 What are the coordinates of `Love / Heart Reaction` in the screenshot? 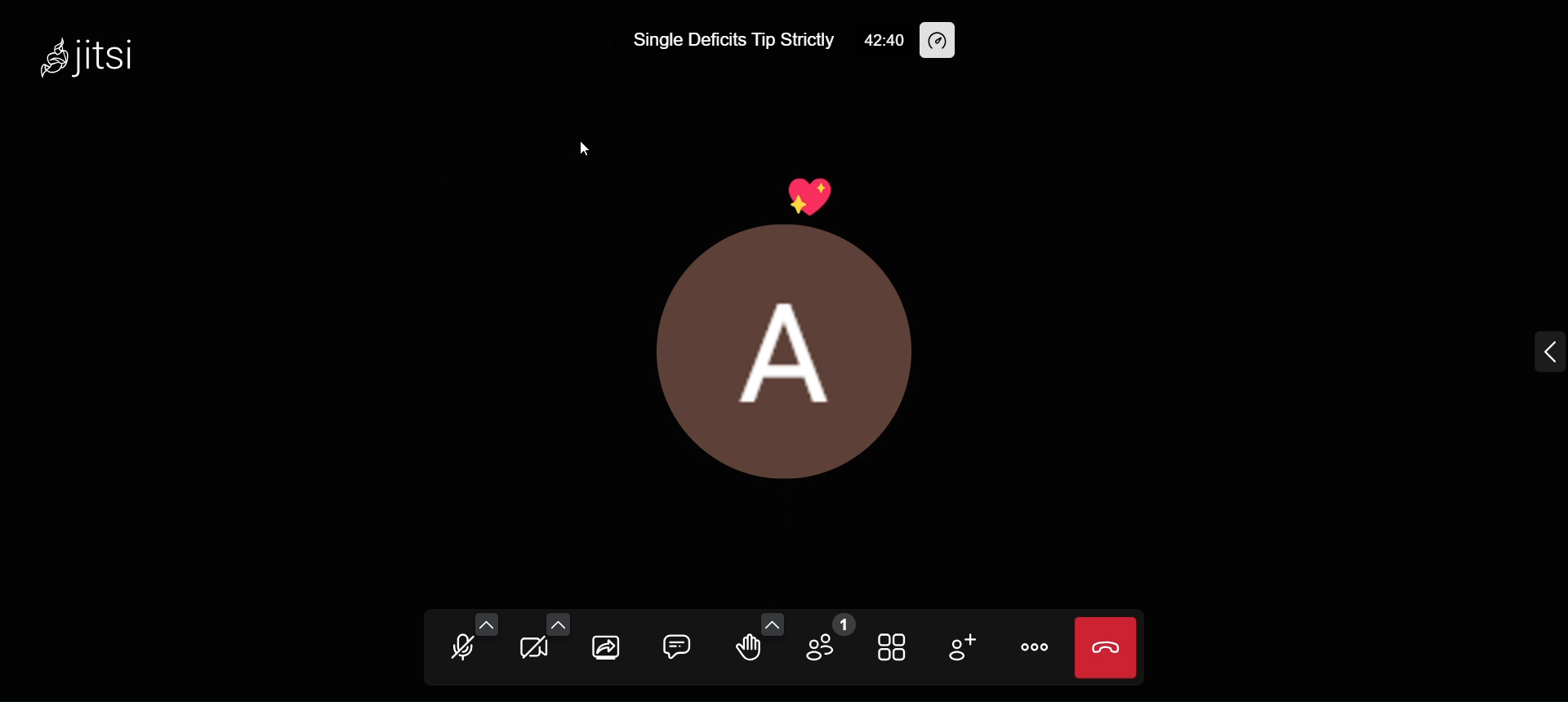 It's located at (817, 197).